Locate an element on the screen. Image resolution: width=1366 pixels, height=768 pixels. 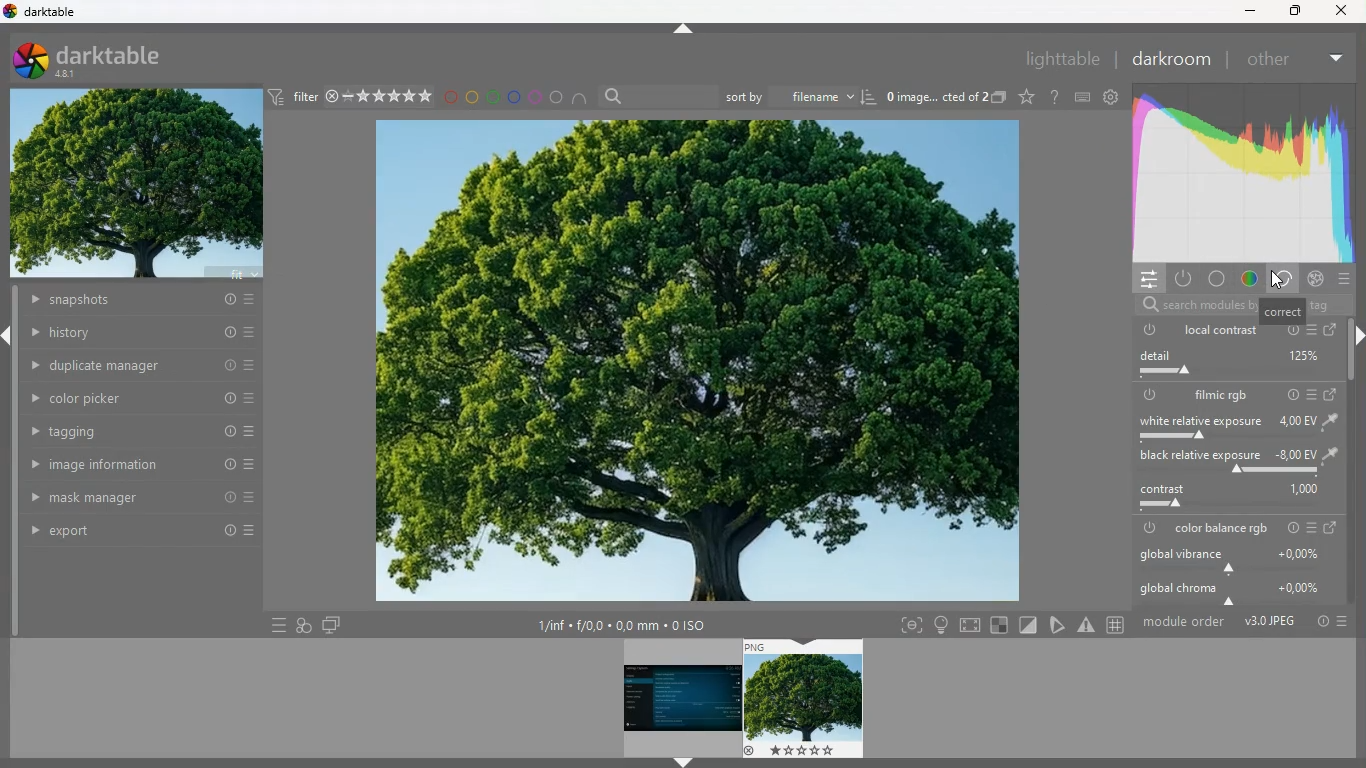
warning is located at coordinates (1087, 625).